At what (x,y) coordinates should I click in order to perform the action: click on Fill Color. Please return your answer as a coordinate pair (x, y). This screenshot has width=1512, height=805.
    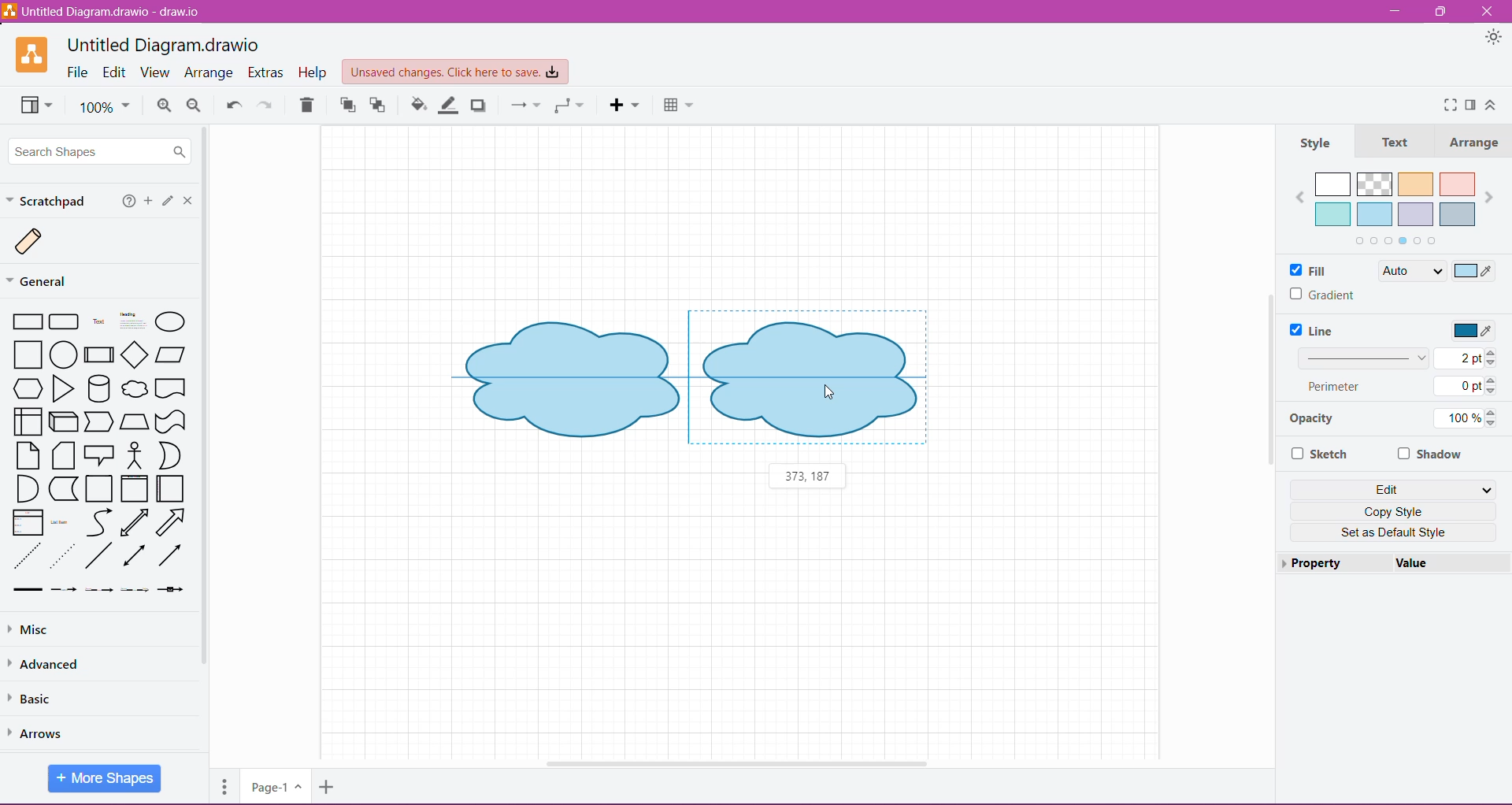
    Looking at the image, I should click on (418, 106).